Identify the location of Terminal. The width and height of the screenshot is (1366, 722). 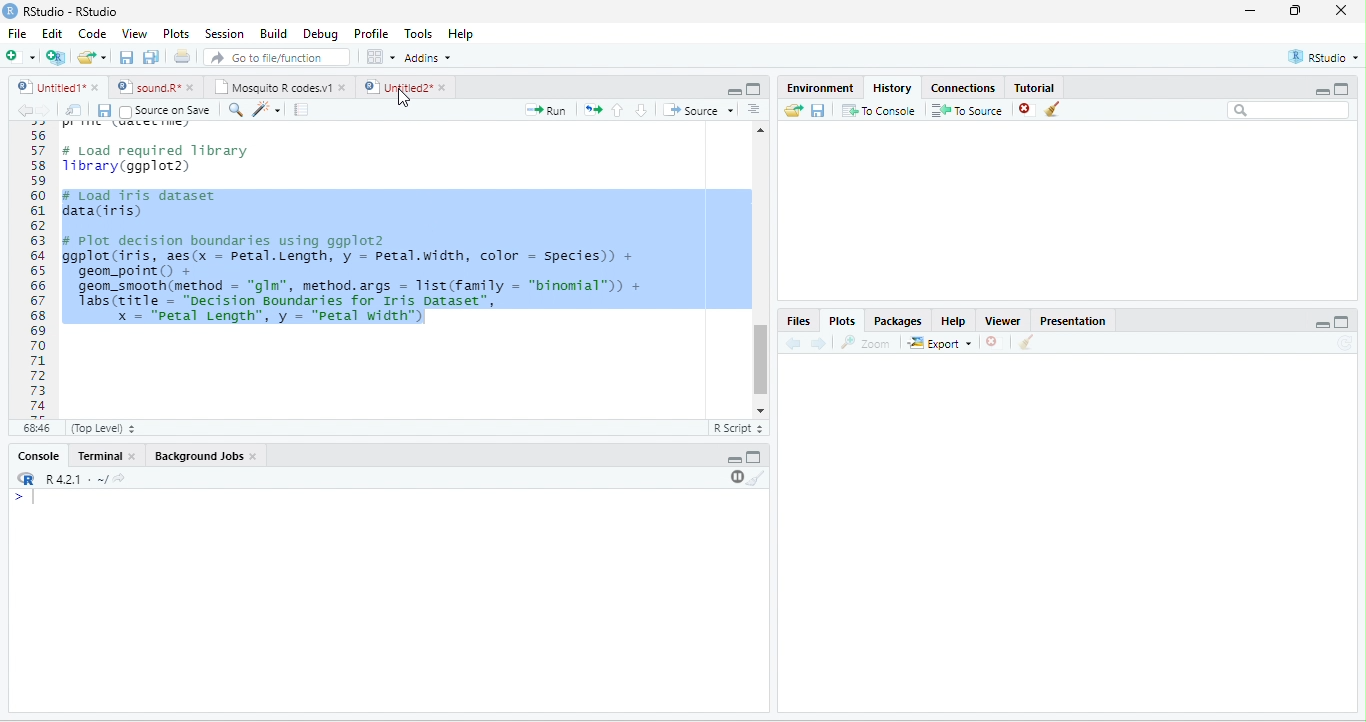
(97, 455).